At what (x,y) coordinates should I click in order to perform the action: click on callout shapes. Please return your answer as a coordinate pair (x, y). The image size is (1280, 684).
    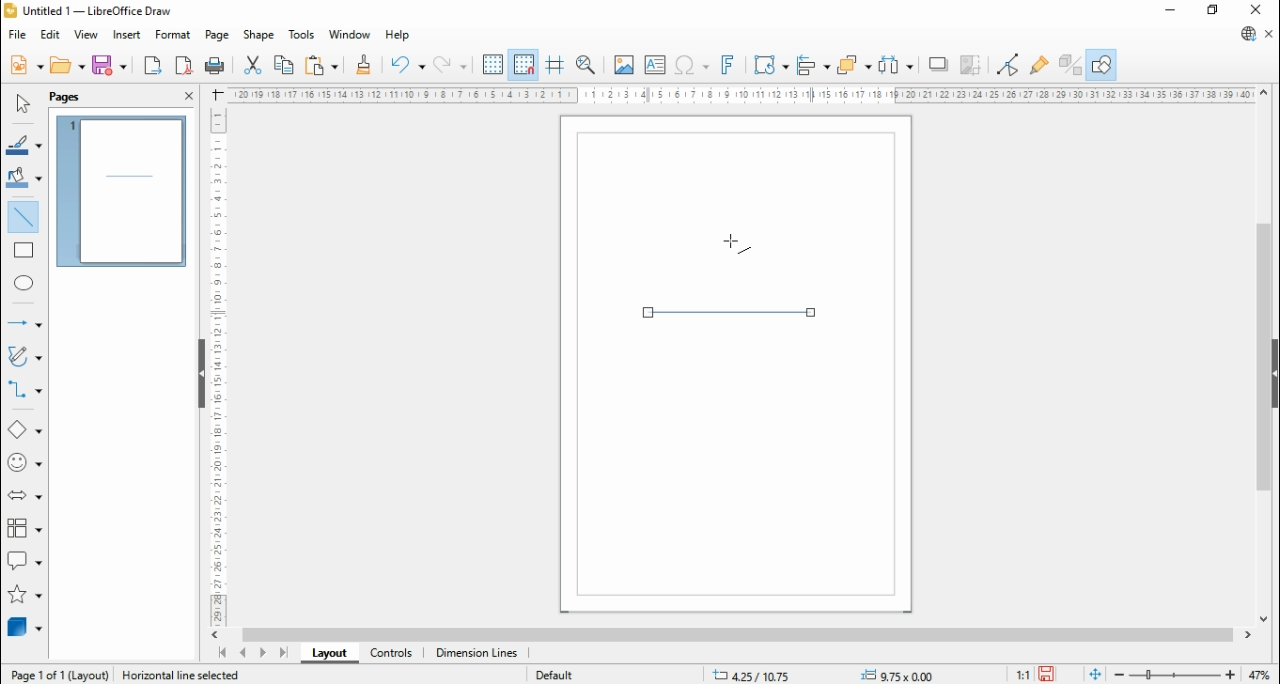
    Looking at the image, I should click on (25, 560).